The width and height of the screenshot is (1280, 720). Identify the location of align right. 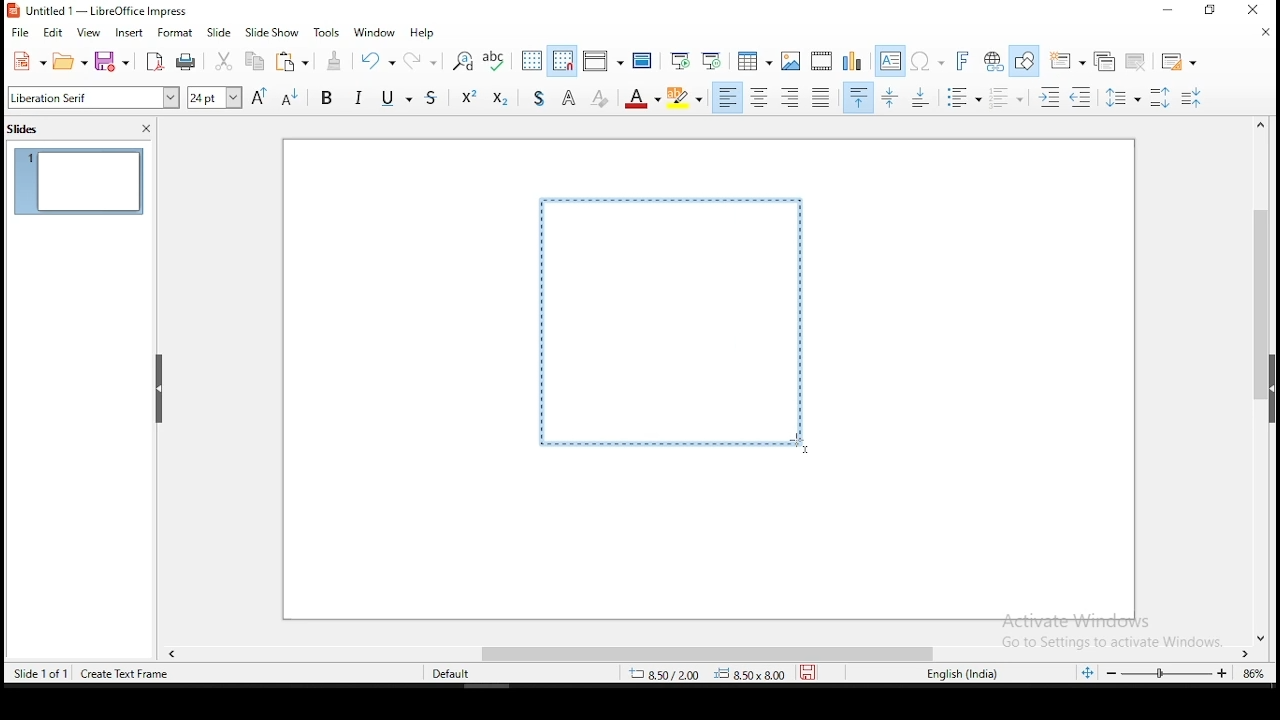
(792, 99).